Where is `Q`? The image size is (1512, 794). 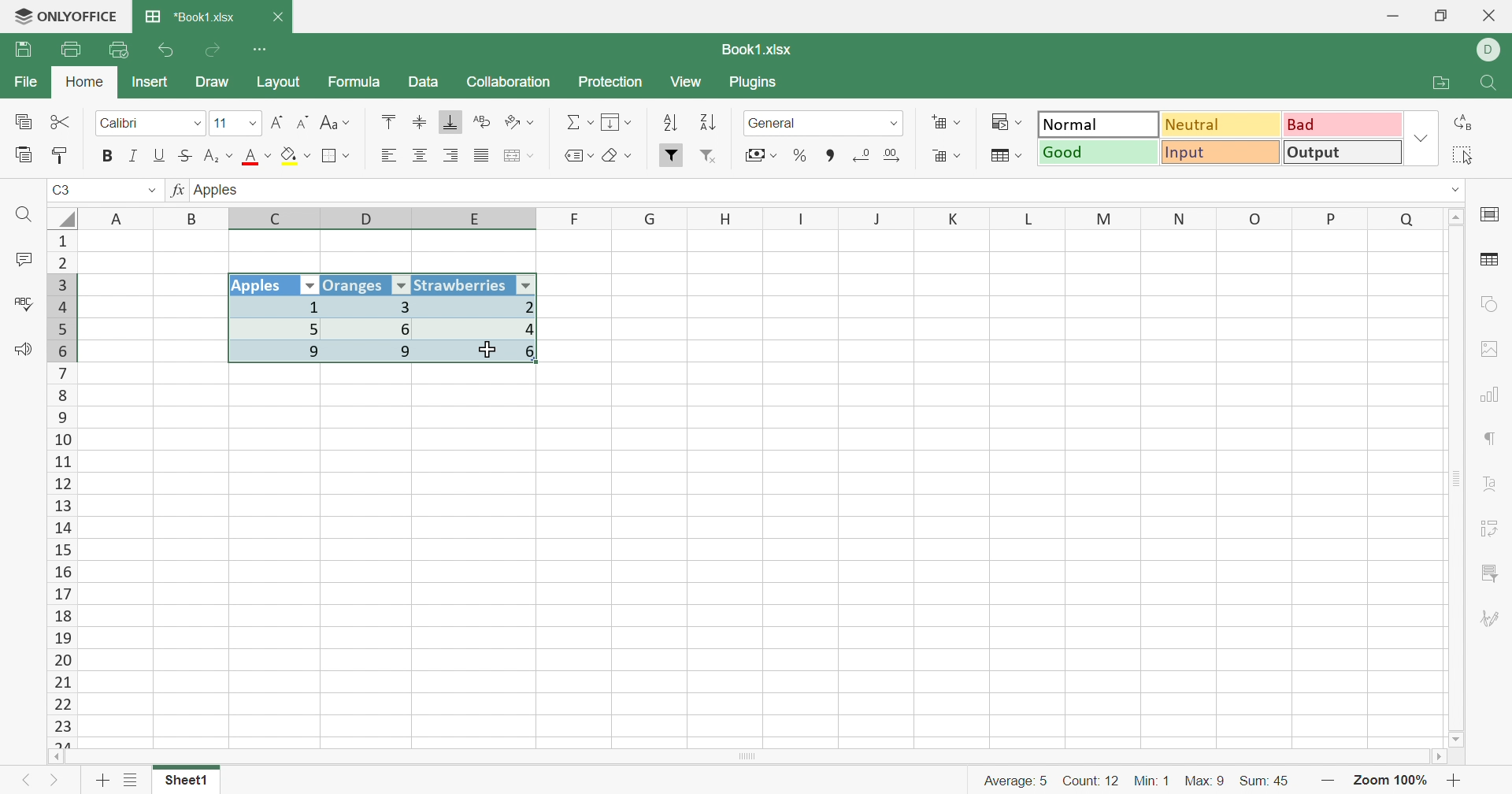 Q is located at coordinates (1406, 217).